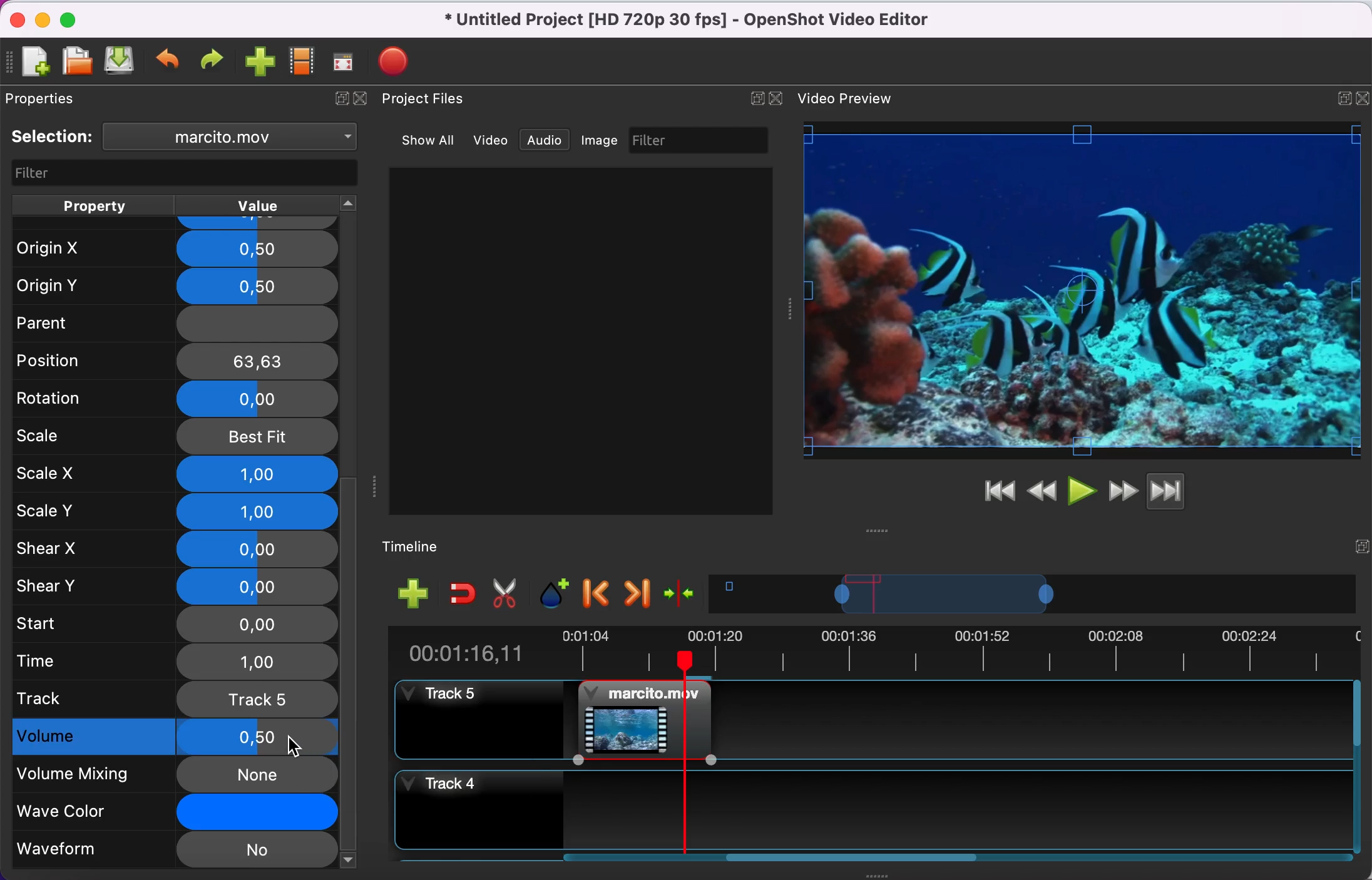 This screenshot has width=1372, height=880. I want to click on play, so click(1082, 489).